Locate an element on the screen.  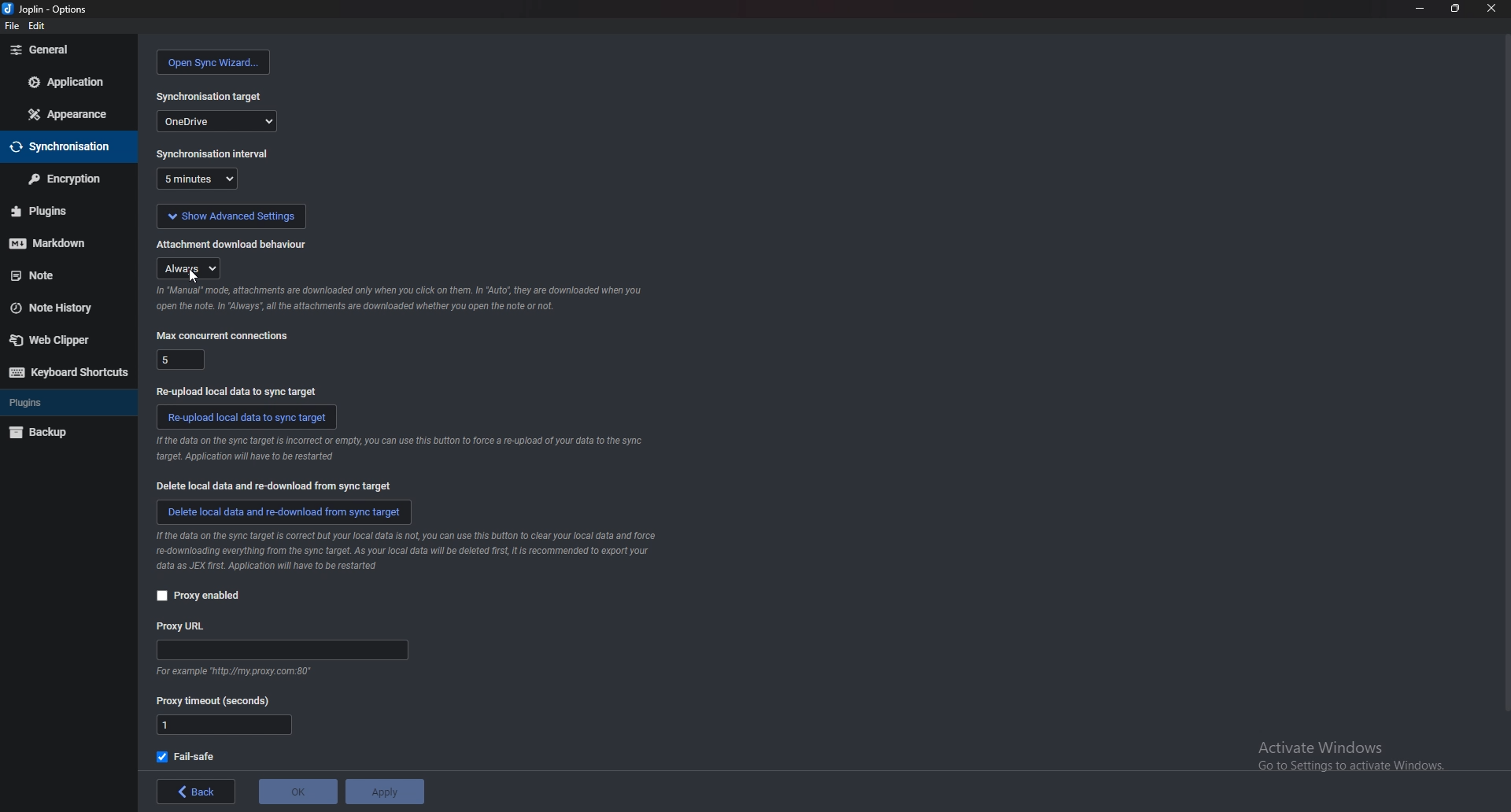
sync interval is located at coordinates (215, 153).